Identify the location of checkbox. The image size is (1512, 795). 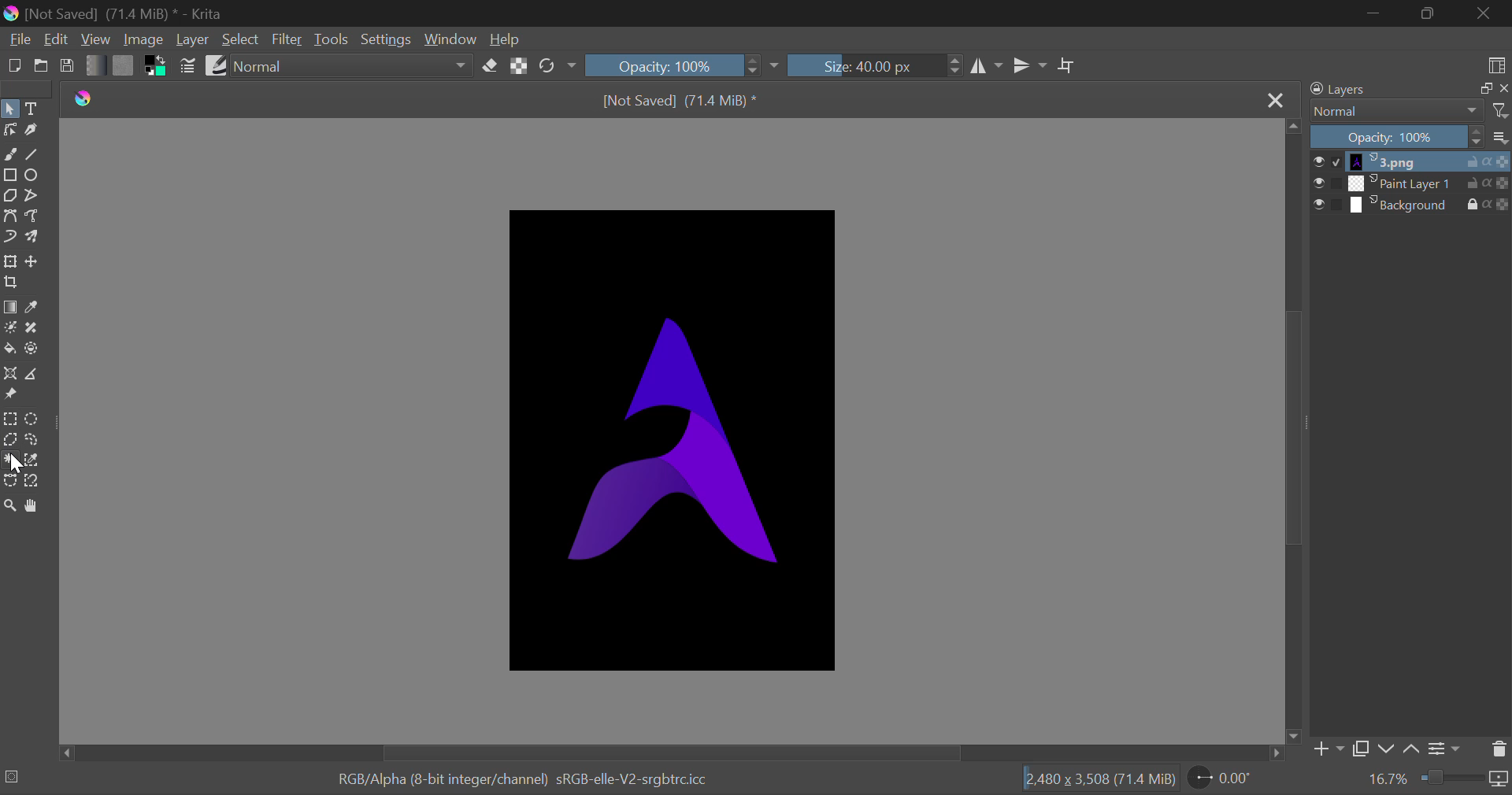
(1326, 183).